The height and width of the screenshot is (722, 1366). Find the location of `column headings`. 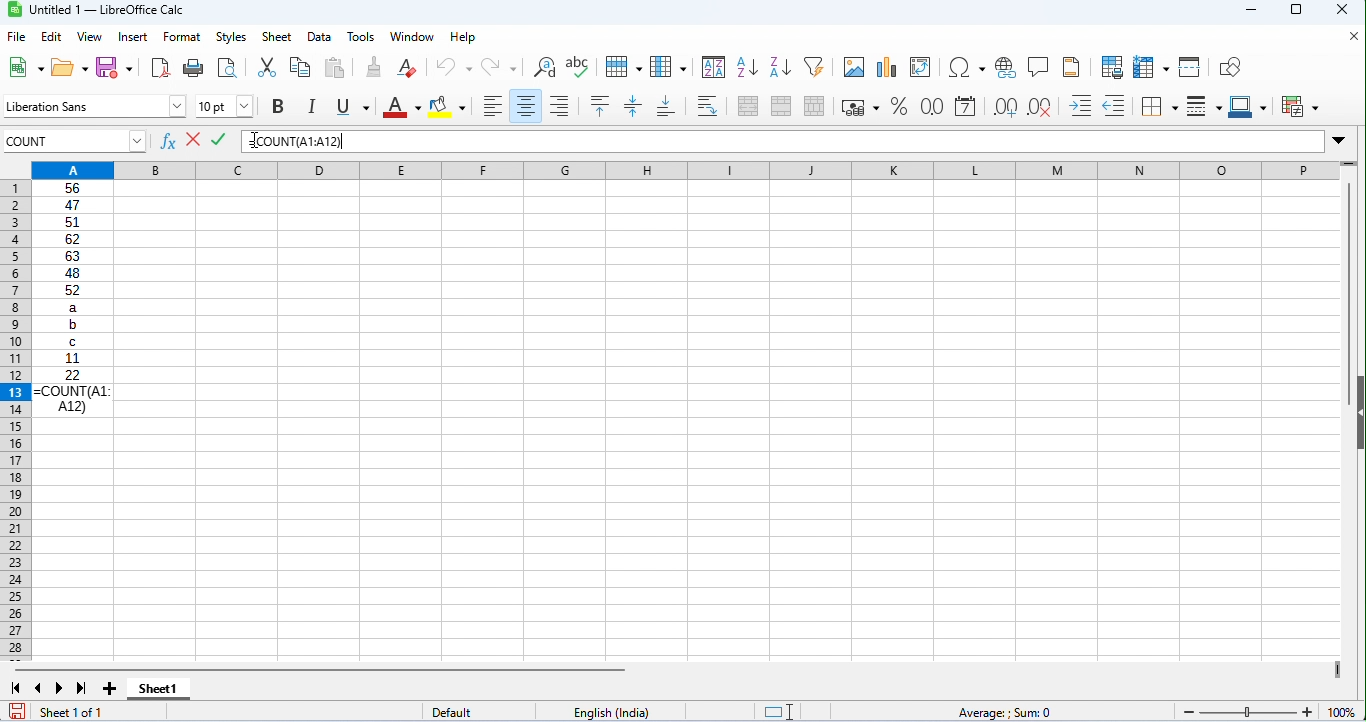

column headings is located at coordinates (685, 171).